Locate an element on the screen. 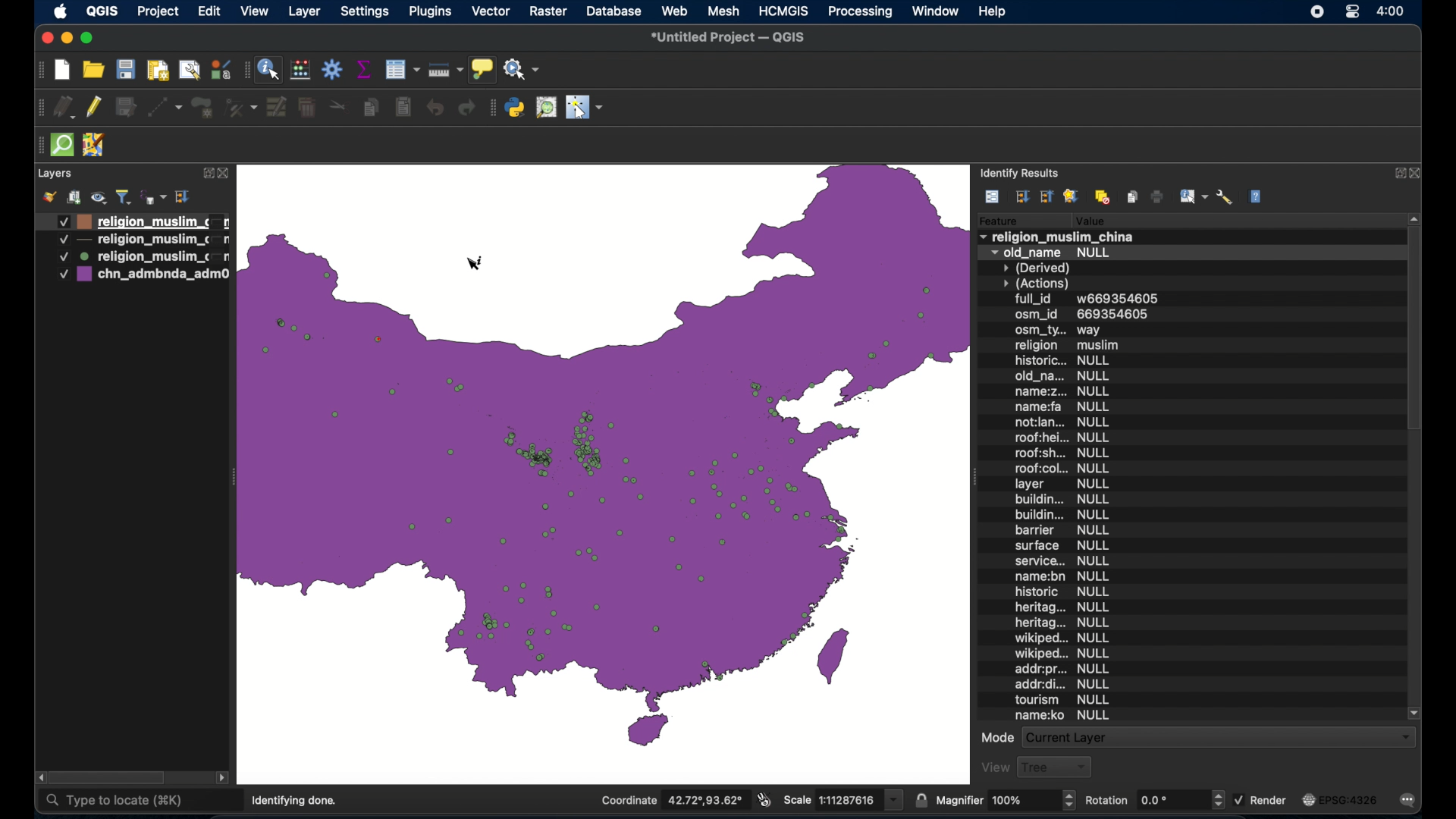  create new project is located at coordinates (64, 71).